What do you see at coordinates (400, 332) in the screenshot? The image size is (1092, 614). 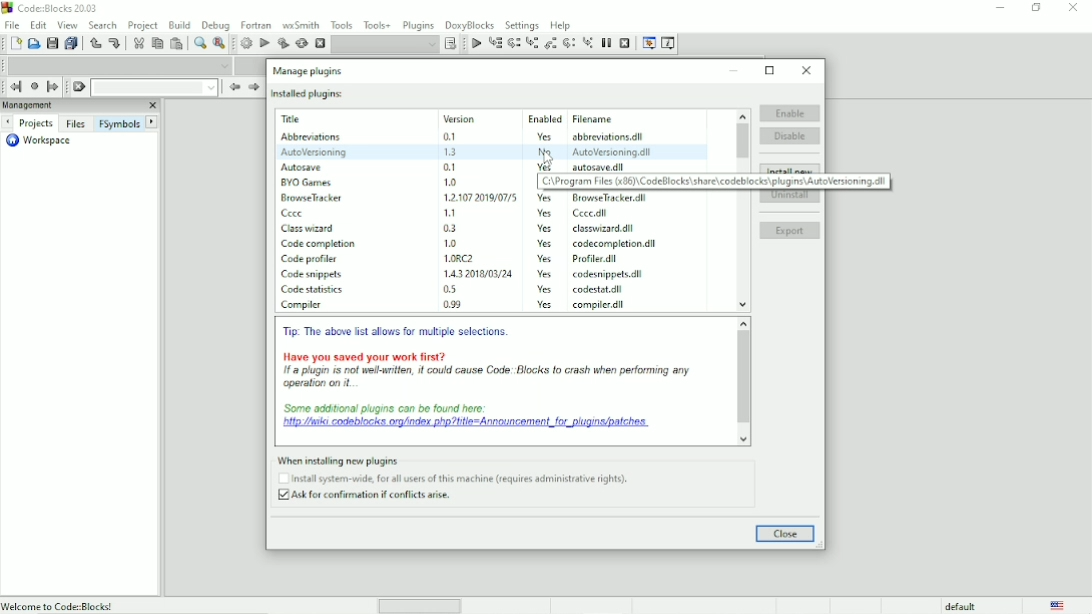 I see `Tip` at bounding box center [400, 332].